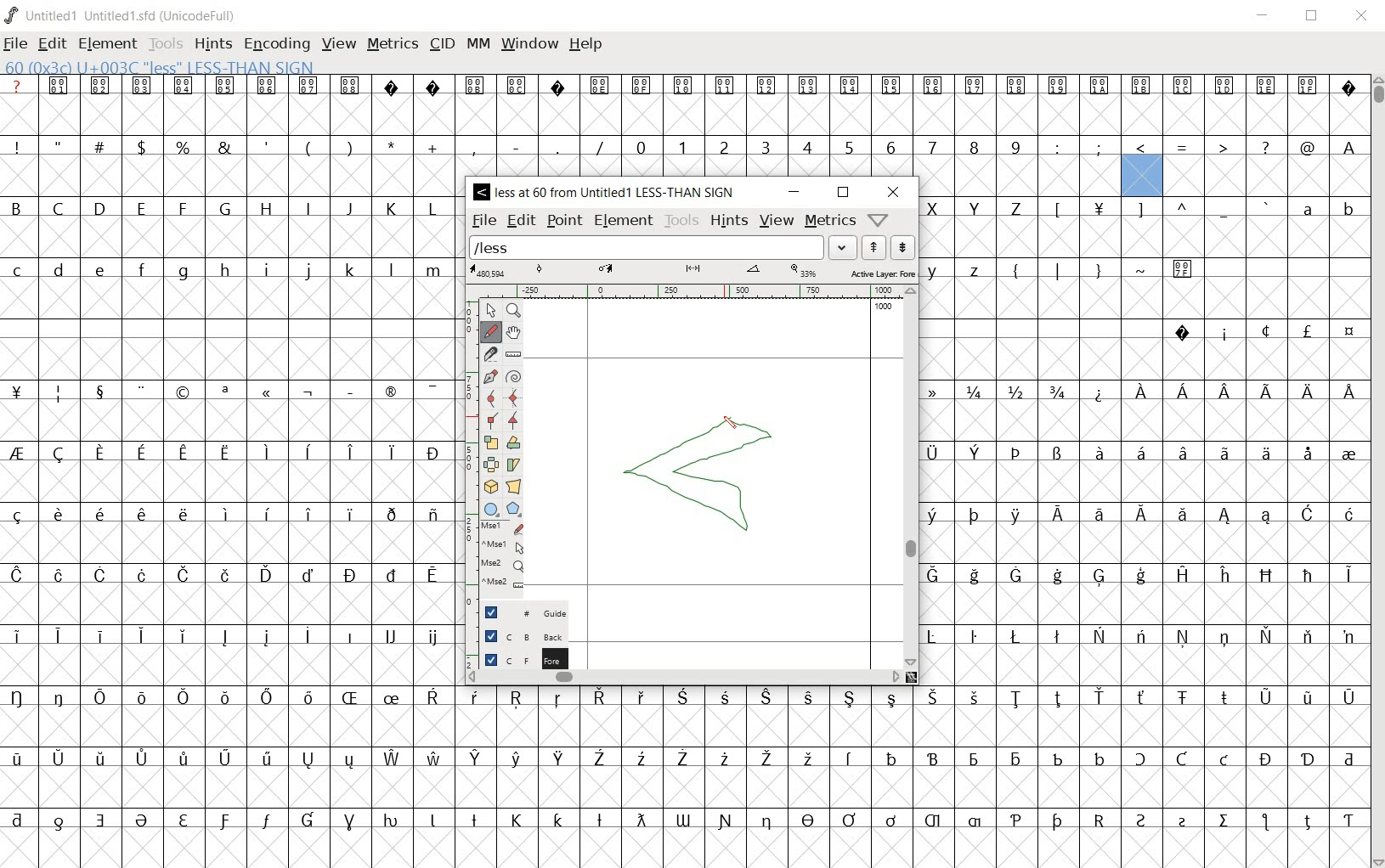  Describe the element at coordinates (879, 218) in the screenshot. I see `help/window` at that location.